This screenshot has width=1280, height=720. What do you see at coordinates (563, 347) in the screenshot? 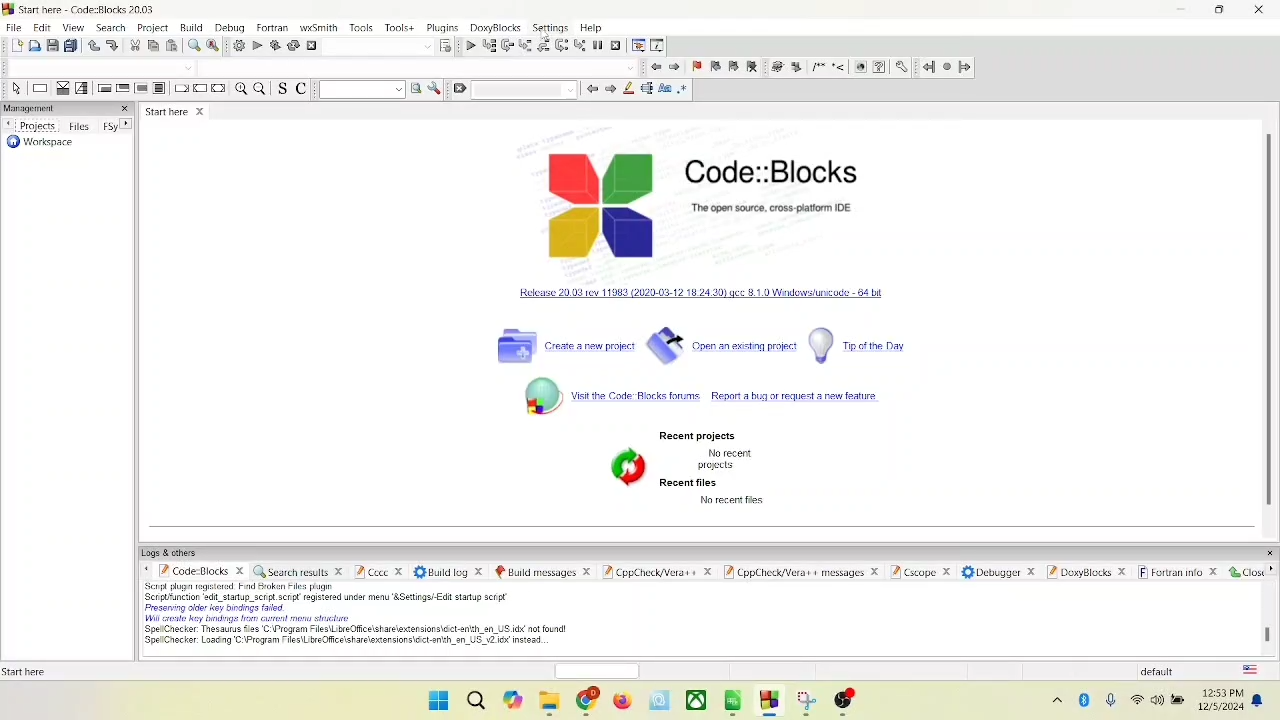
I see `create a project` at bounding box center [563, 347].